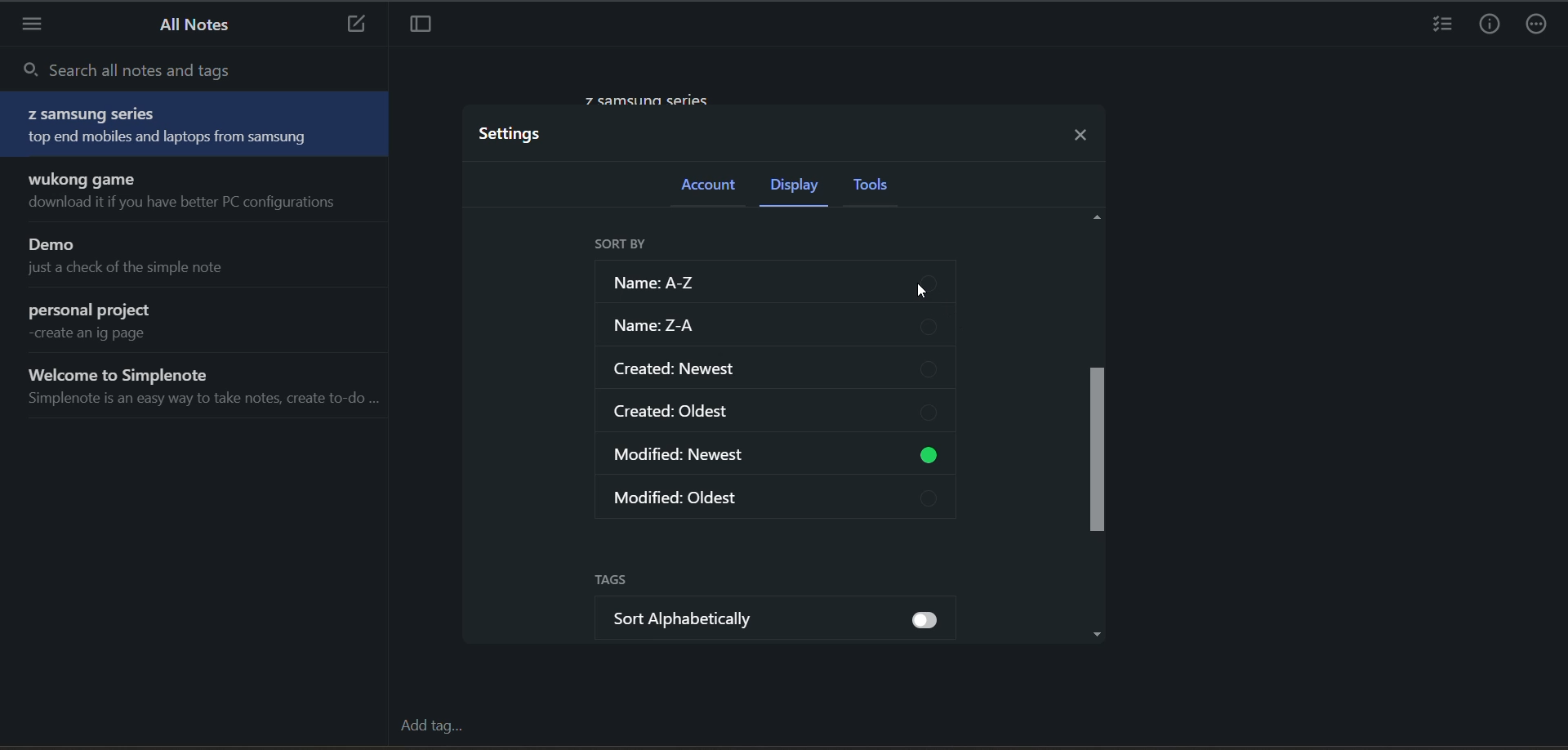 Image resolution: width=1568 pixels, height=750 pixels. I want to click on sort alphabetically, so click(790, 622).